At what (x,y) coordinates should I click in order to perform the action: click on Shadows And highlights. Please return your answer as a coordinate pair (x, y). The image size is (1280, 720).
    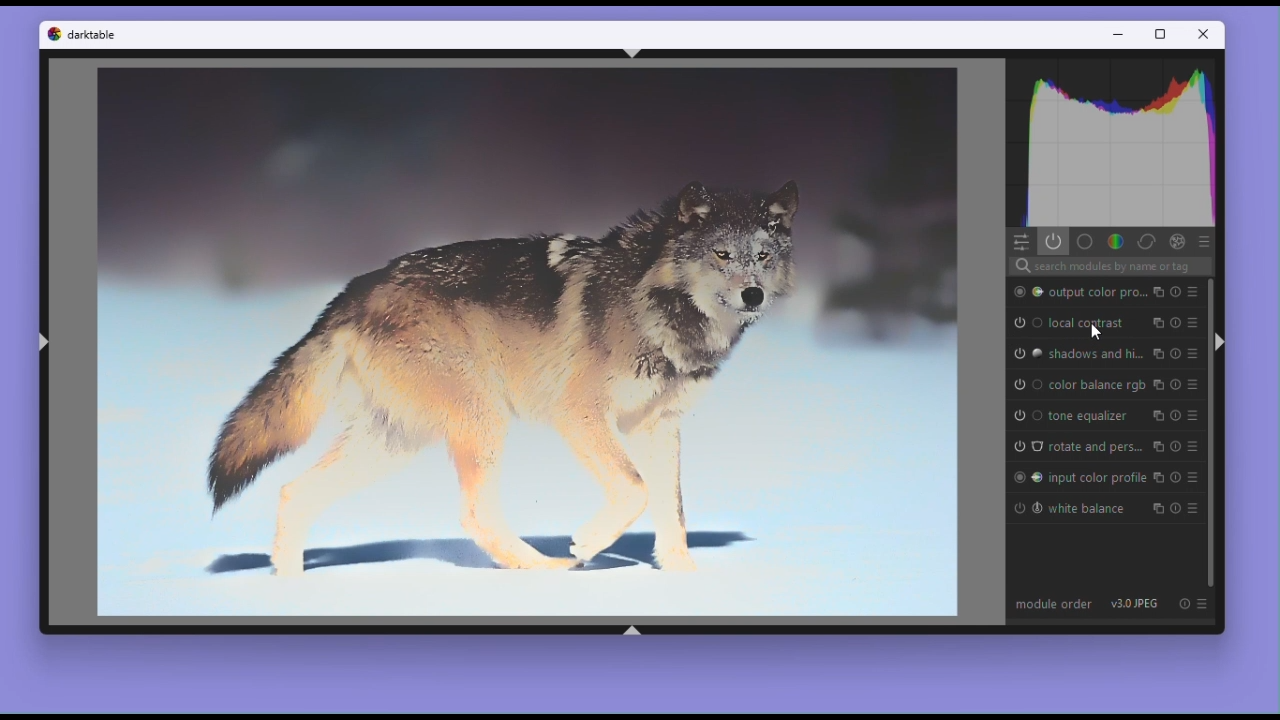
    Looking at the image, I should click on (1095, 353).